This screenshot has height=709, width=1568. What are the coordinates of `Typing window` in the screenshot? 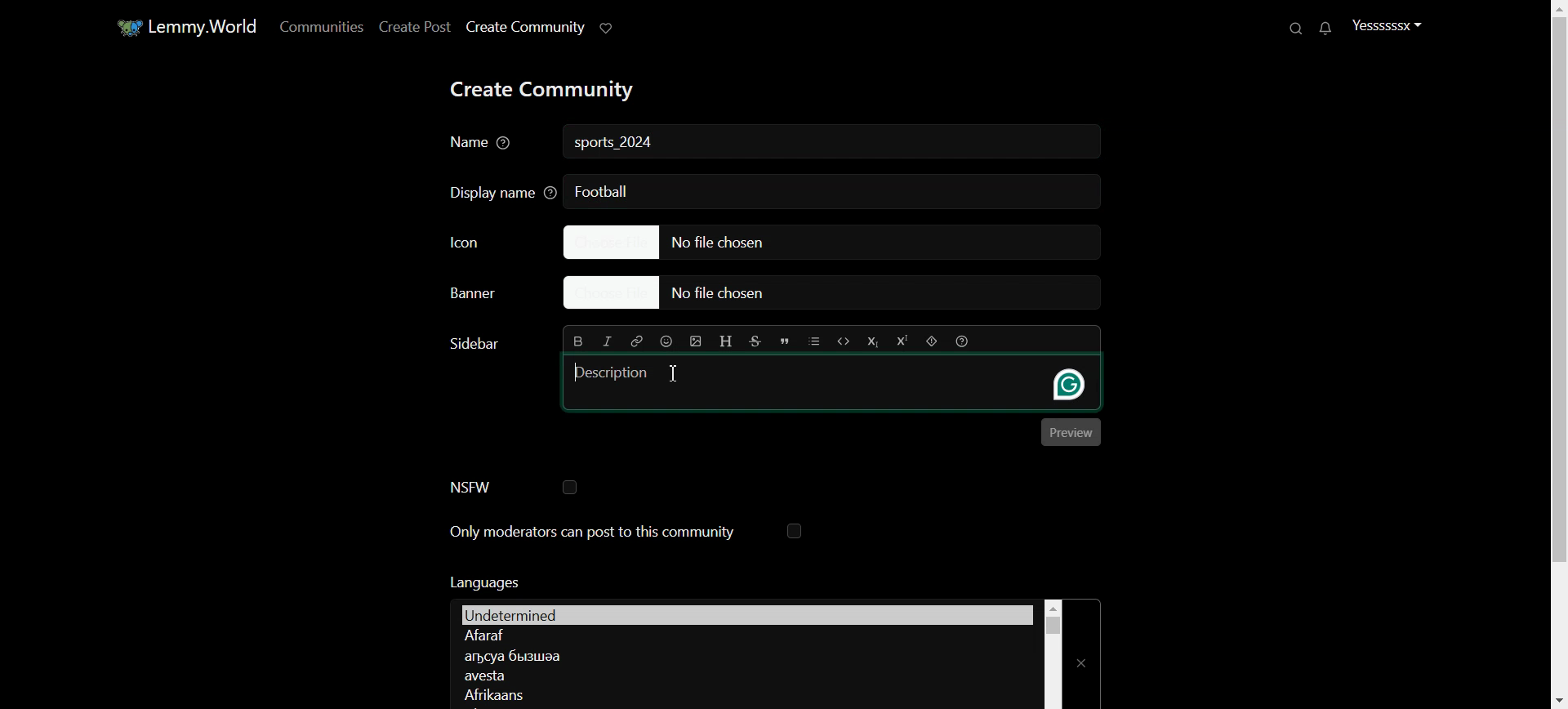 It's located at (793, 381).